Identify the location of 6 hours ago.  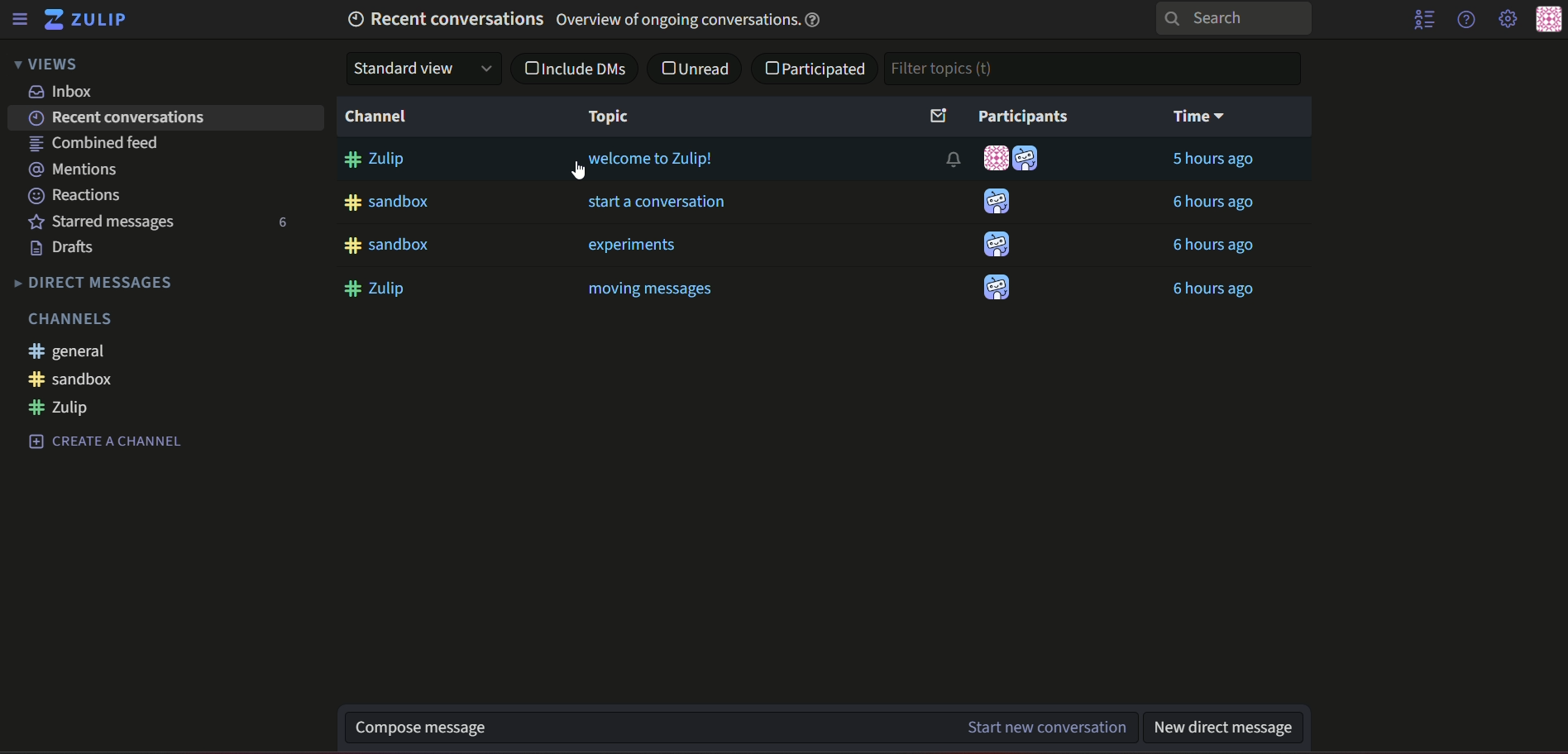
(1214, 290).